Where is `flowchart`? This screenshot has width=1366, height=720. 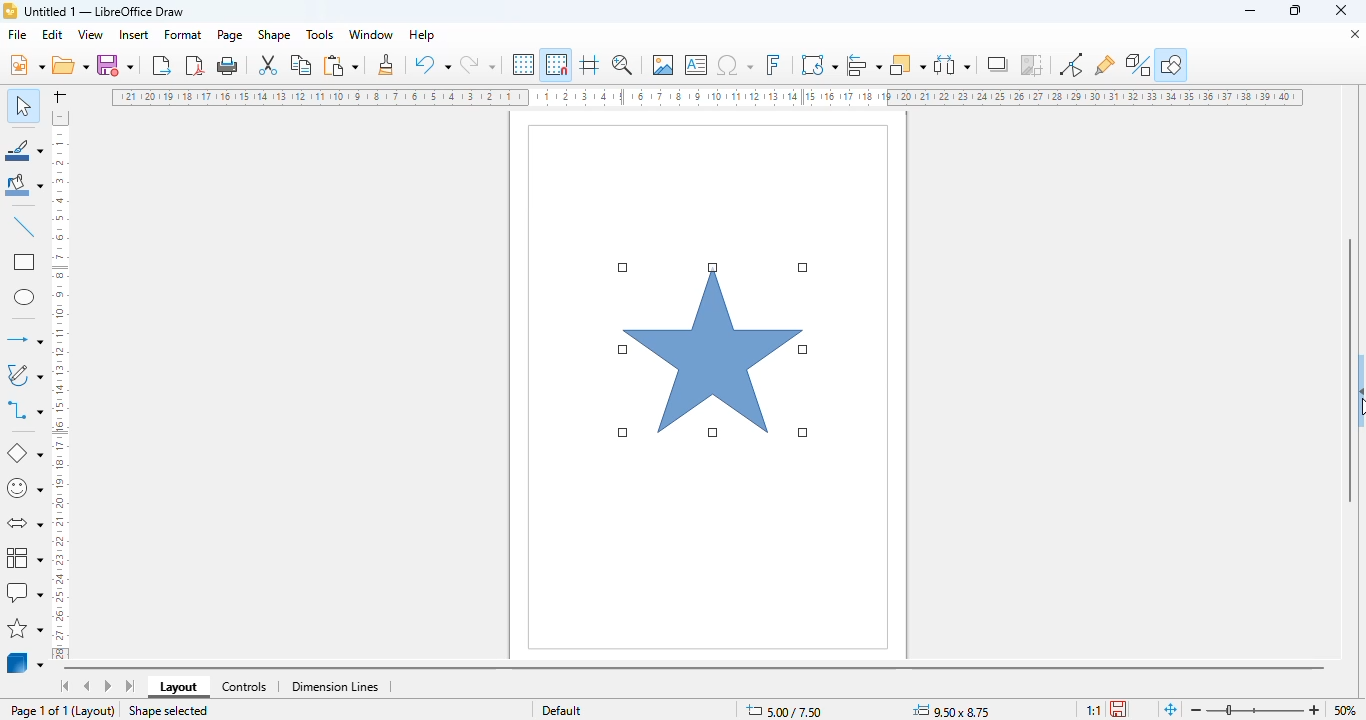 flowchart is located at coordinates (23, 557).